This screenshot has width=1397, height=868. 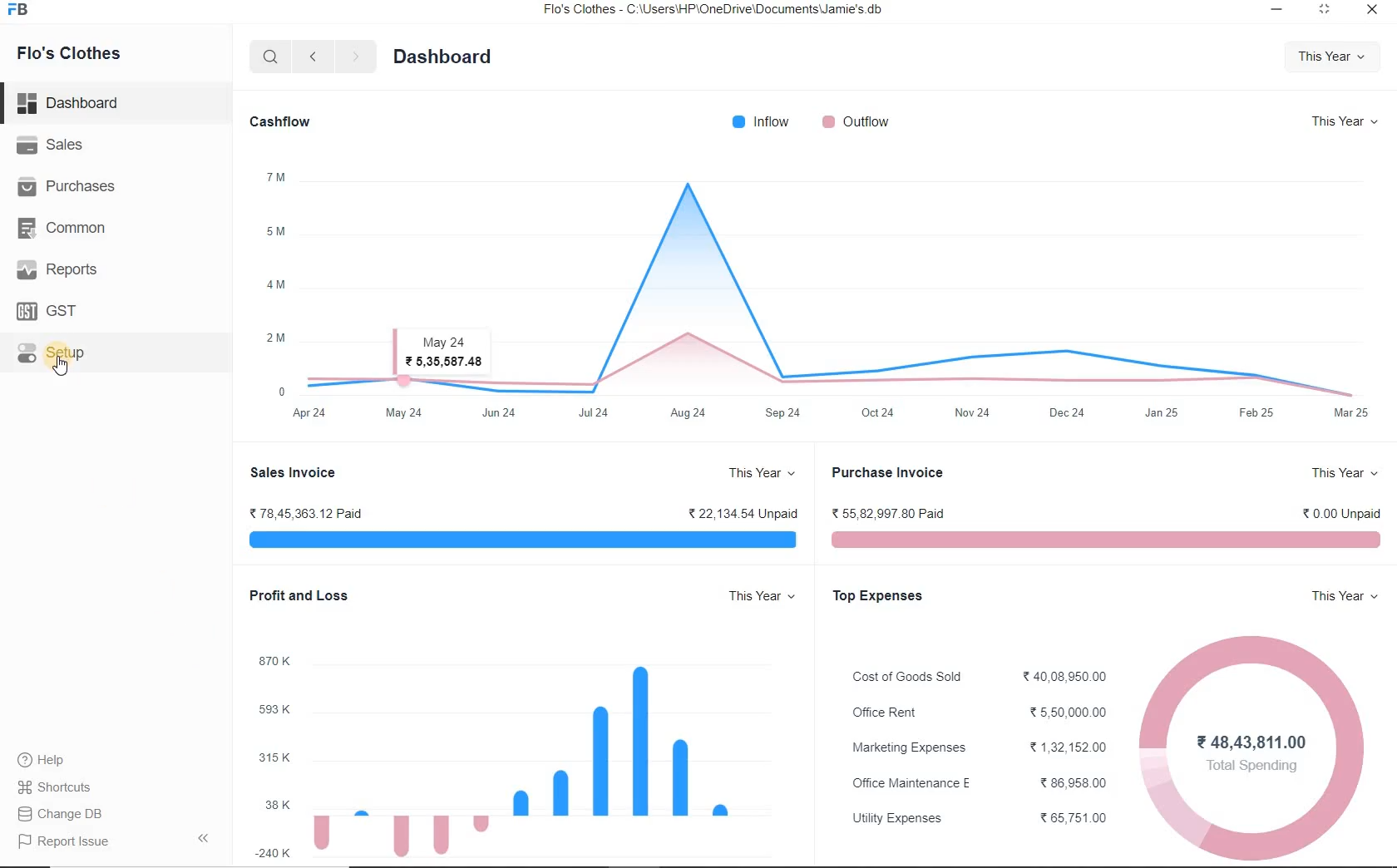 I want to click on Purchase Invoice, so click(x=888, y=471).